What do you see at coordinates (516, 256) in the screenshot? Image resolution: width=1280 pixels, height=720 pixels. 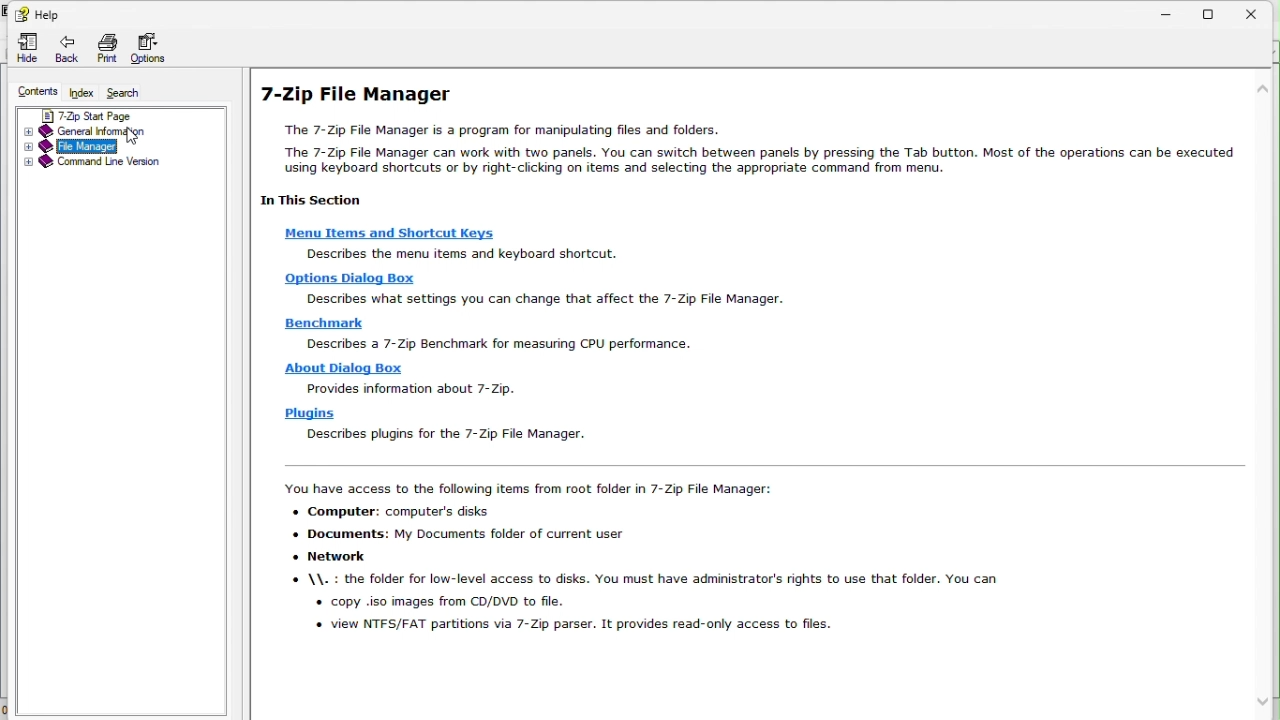 I see `describe Menu items and shortcut keys` at bounding box center [516, 256].